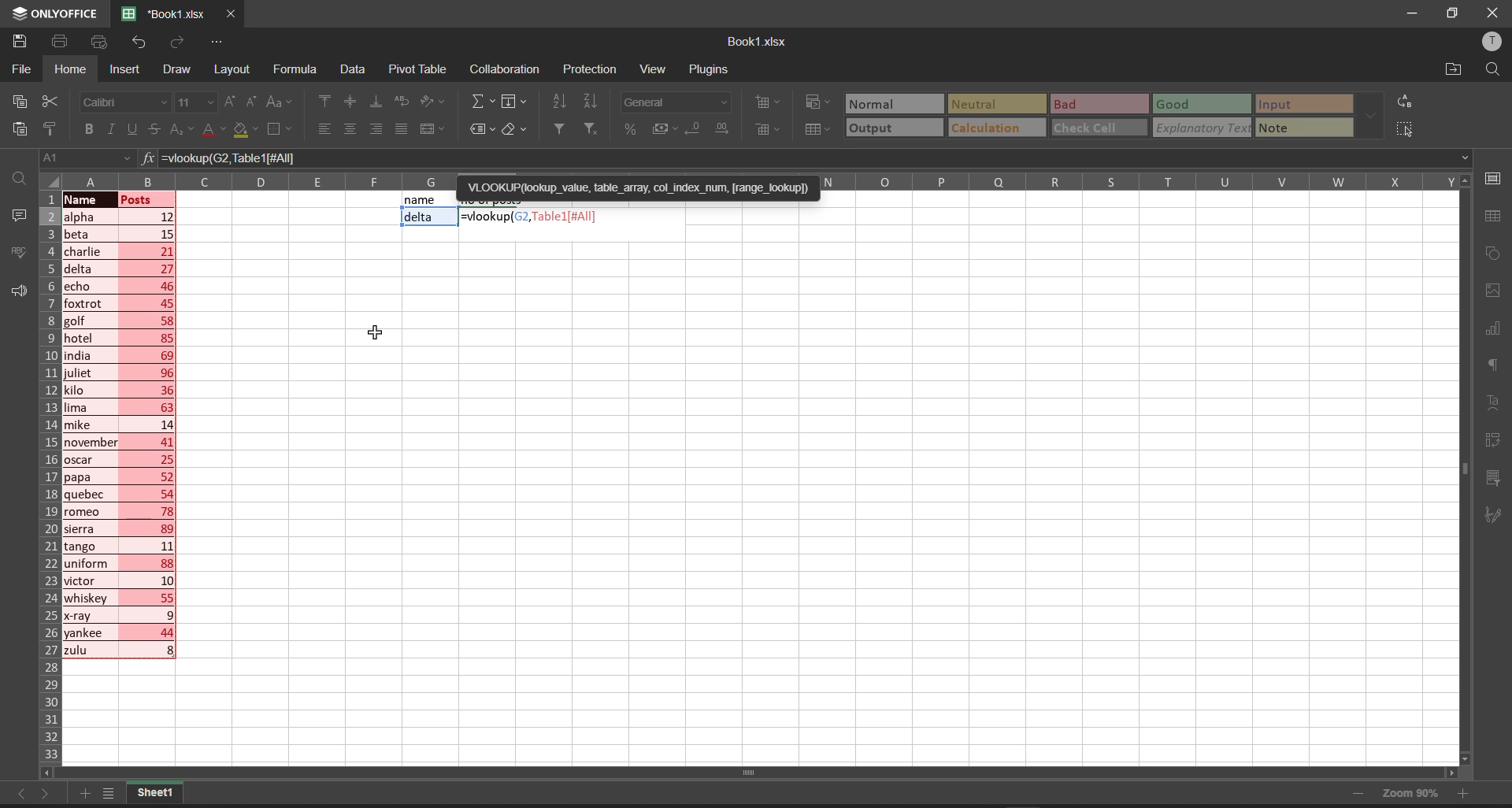 Image resolution: width=1512 pixels, height=808 pixels. I want to click on posts, so click(149, 429).